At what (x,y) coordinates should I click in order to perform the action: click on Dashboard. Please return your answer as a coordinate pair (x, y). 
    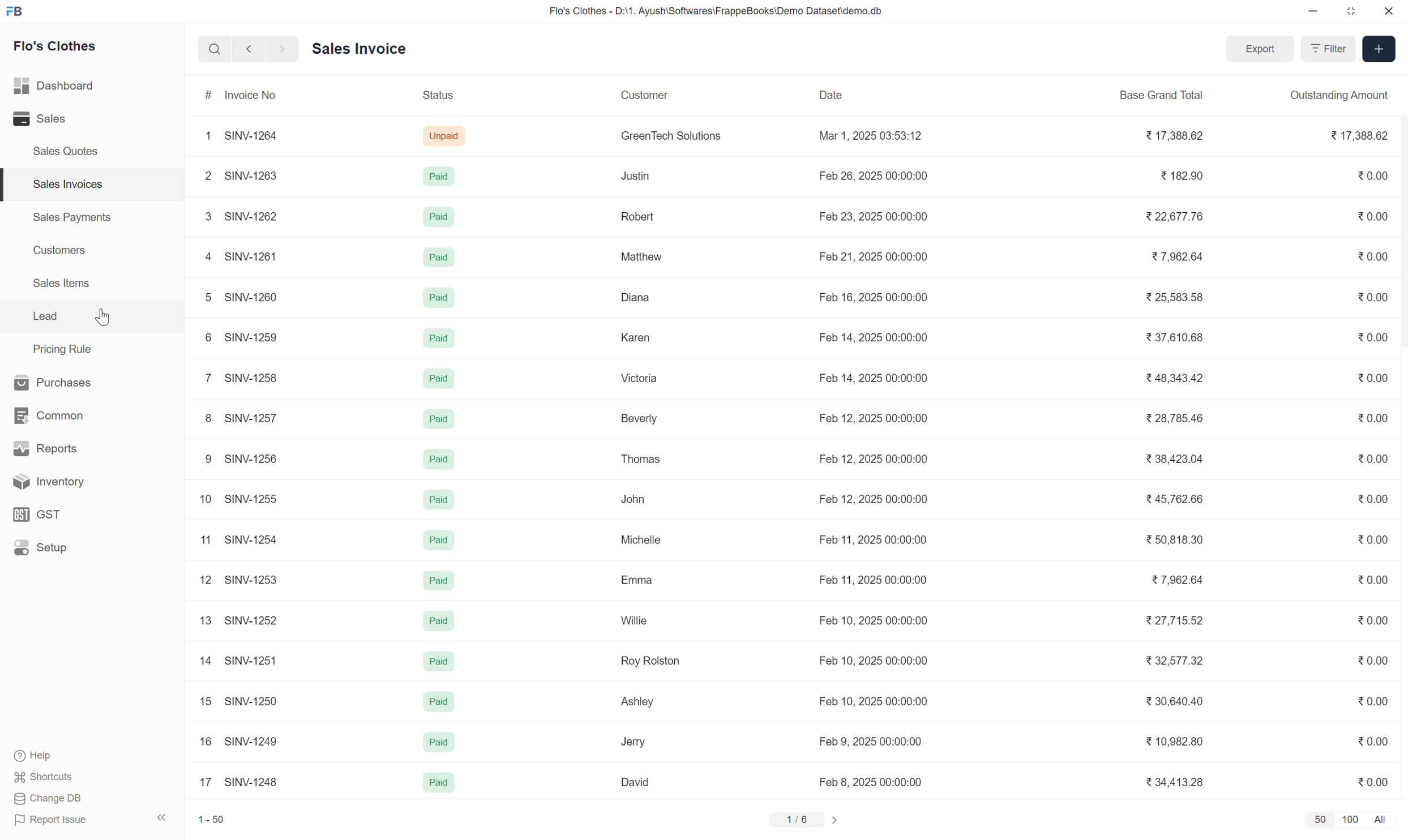
    Looking at the image, I should click on (54, 87).